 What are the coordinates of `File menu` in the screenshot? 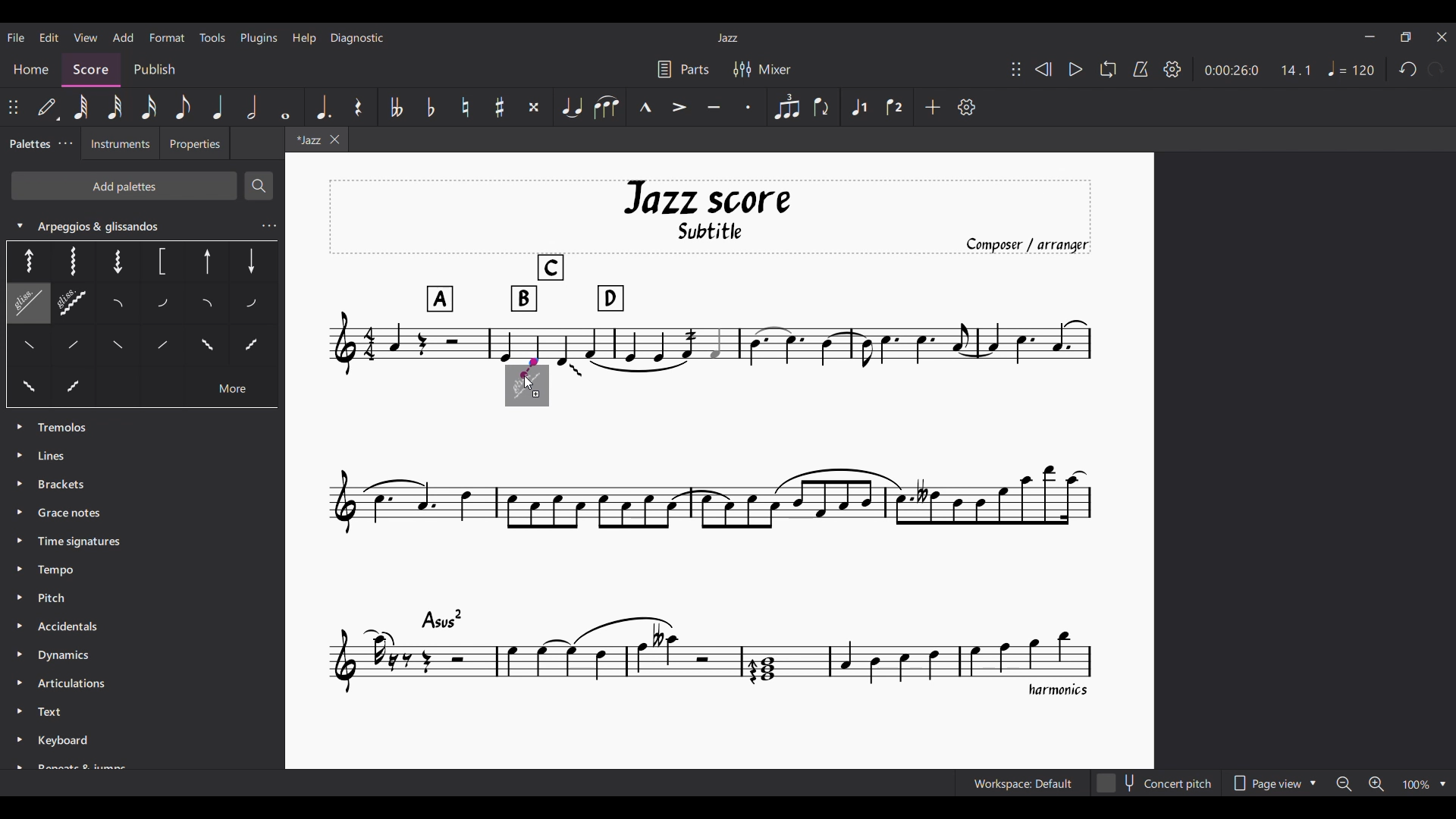 It's located at (16, 37).